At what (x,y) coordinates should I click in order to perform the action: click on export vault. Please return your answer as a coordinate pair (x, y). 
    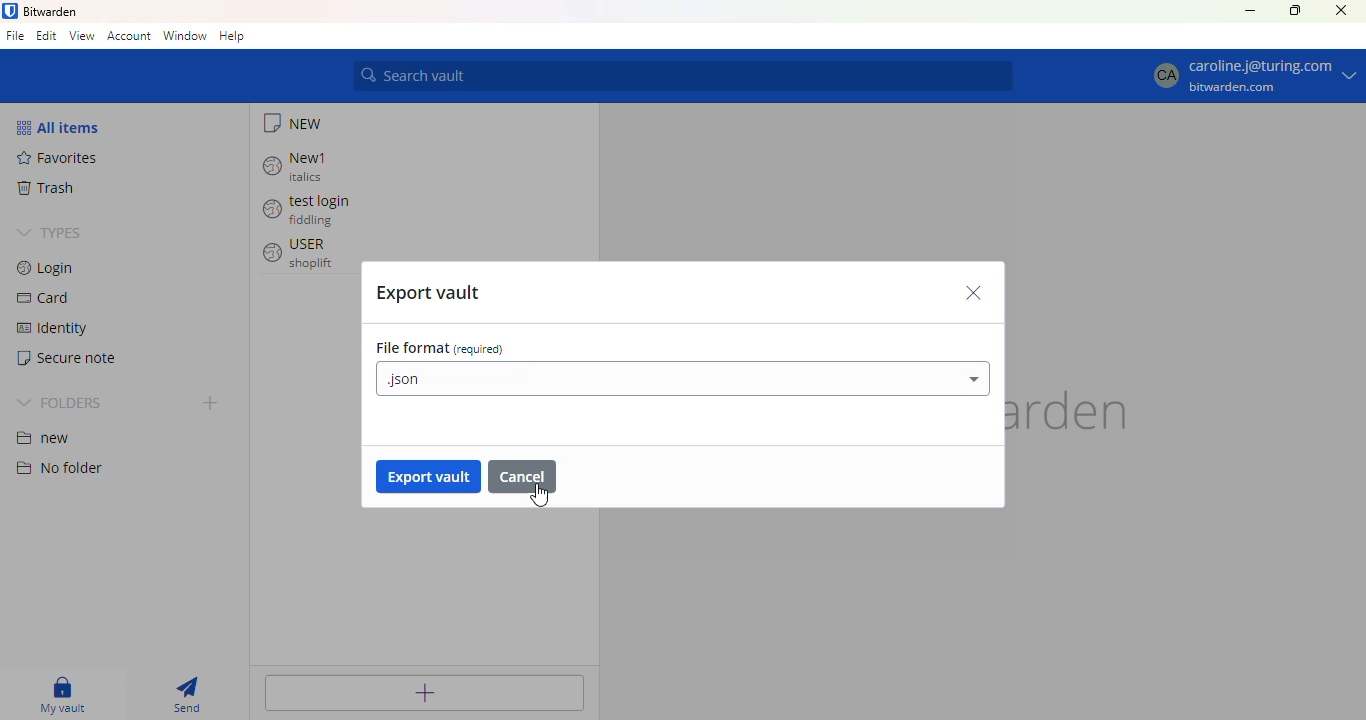
    Looking at the image, I should click on (429, 476).